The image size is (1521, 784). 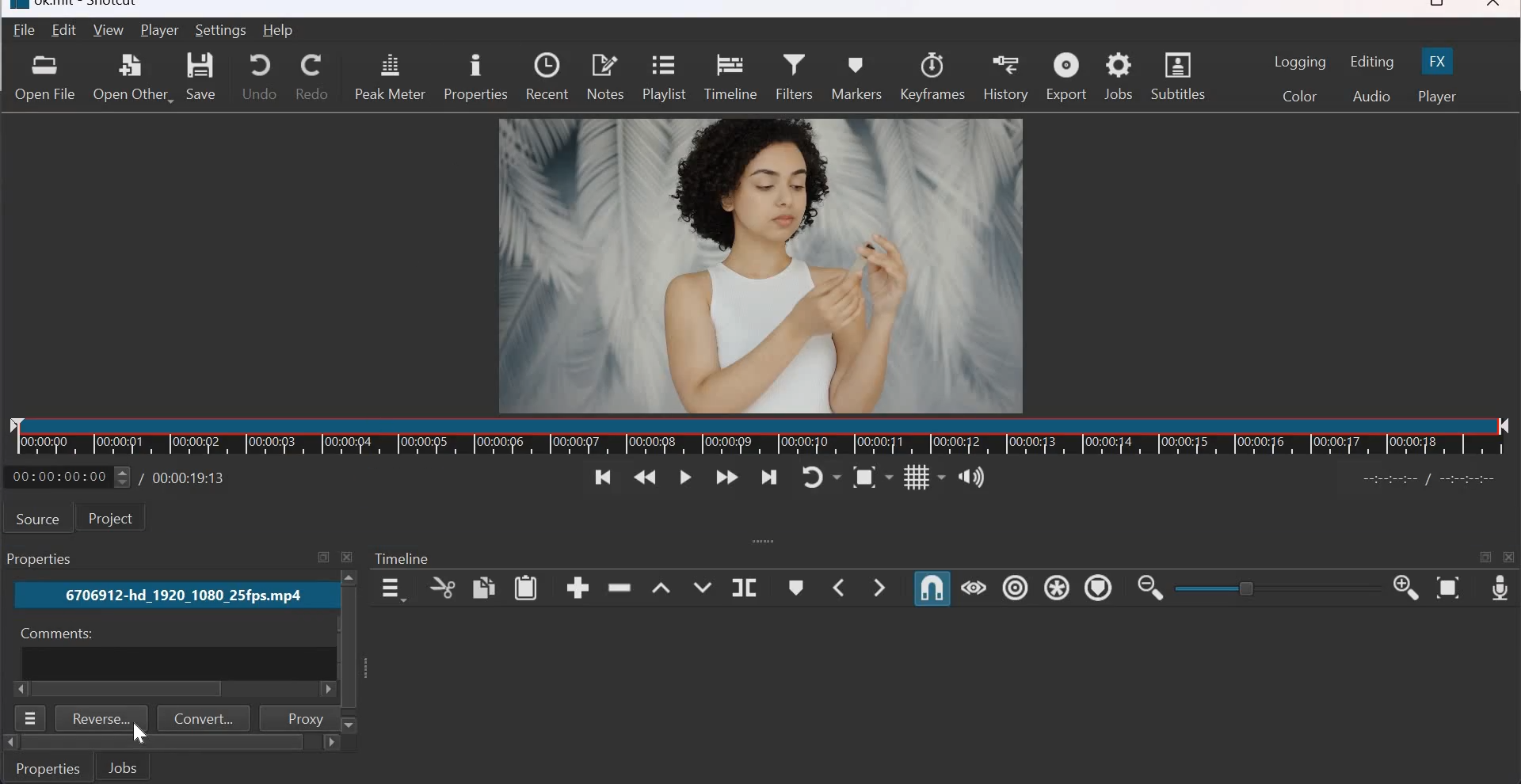 What do you see at coordinates (859, 77) in the screenshot?
I see `Markers` at bounding box center [859, 77].